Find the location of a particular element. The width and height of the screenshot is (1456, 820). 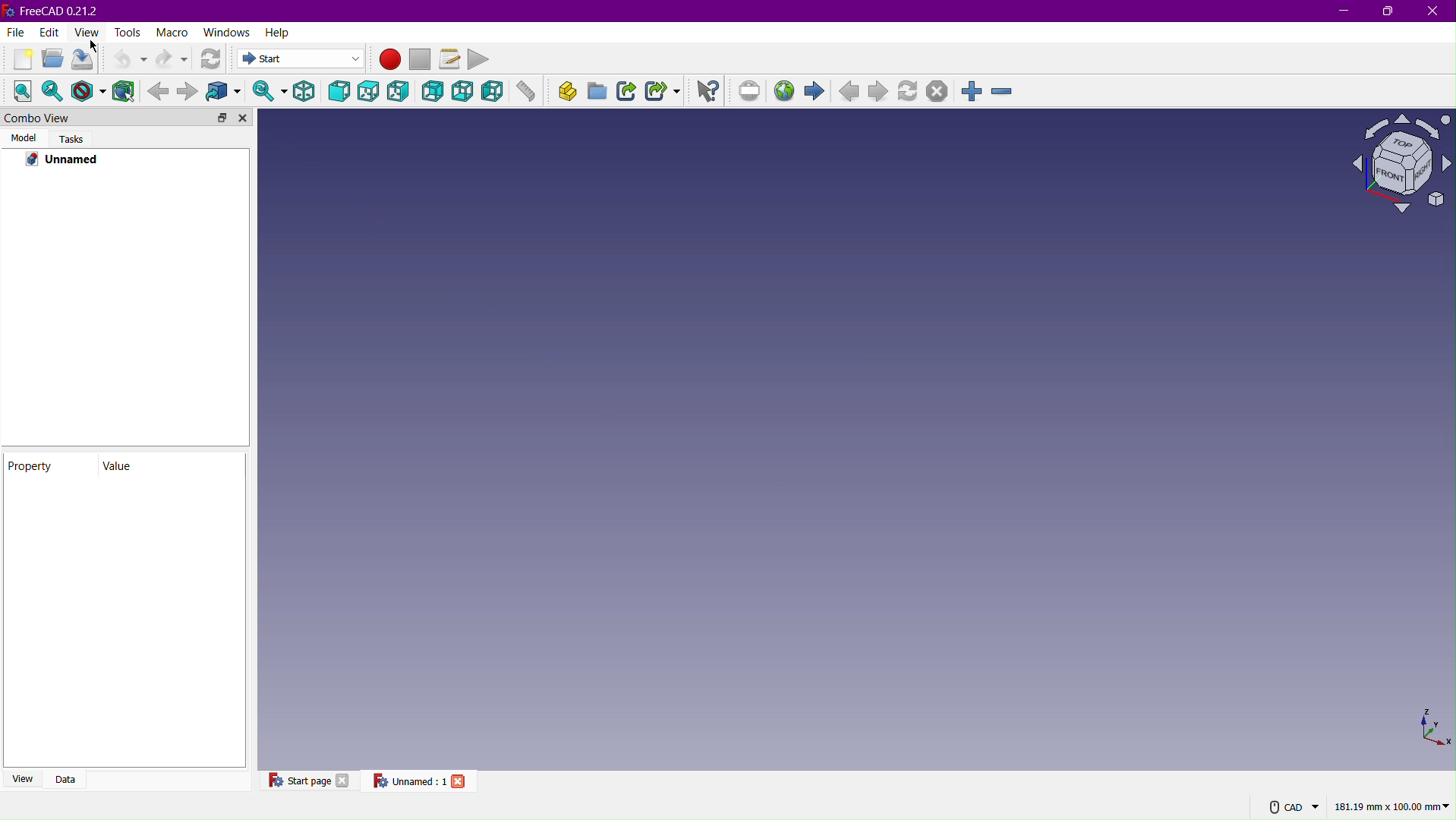

Draw Style is located at coordinates (87, 92).